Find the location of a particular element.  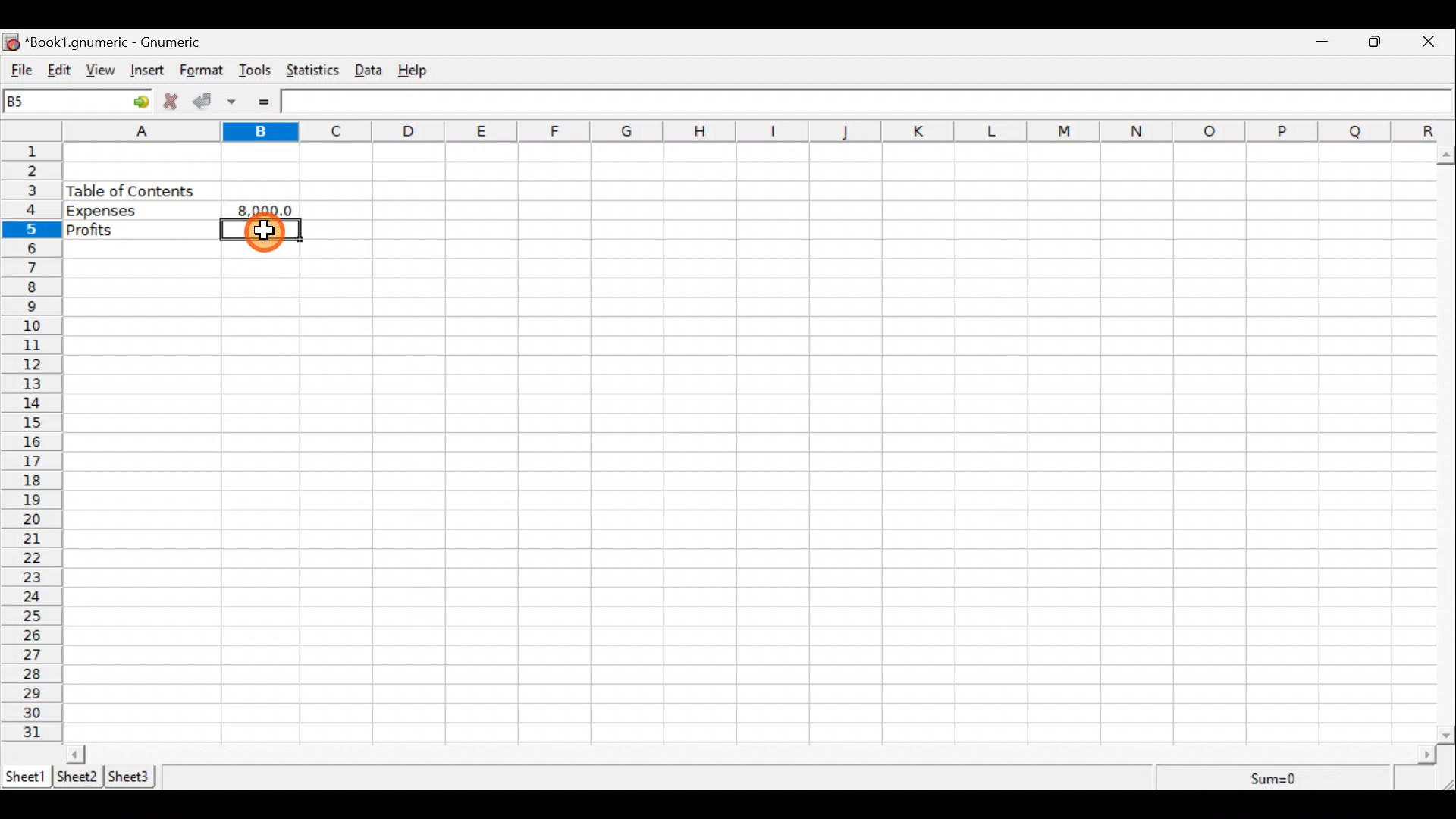

alphabets row is located at coordinates (737, 132).